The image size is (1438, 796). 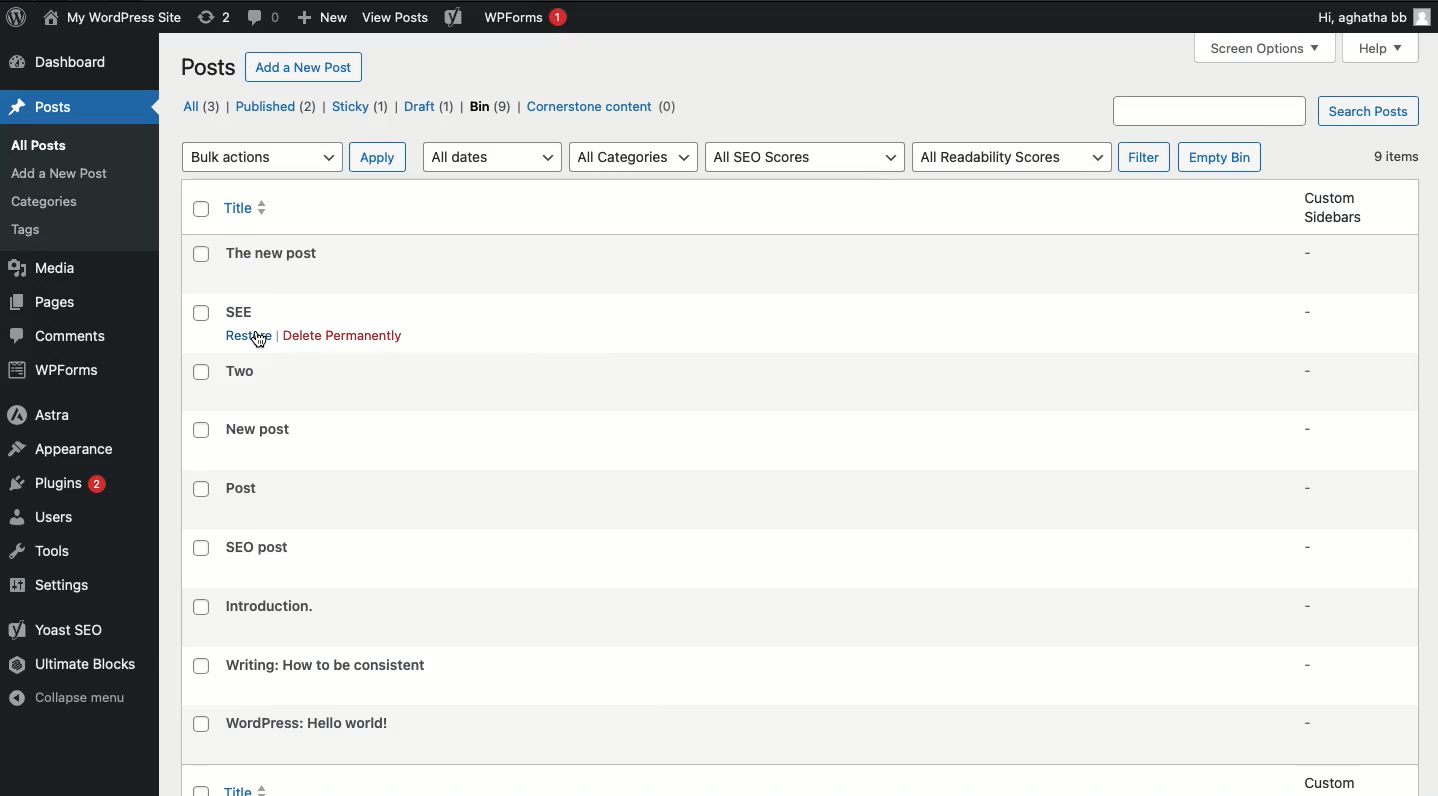 What do you see at coordinates (66, 631) in the screenshot?
I see `Yoast` at bounding box center [66, 631].